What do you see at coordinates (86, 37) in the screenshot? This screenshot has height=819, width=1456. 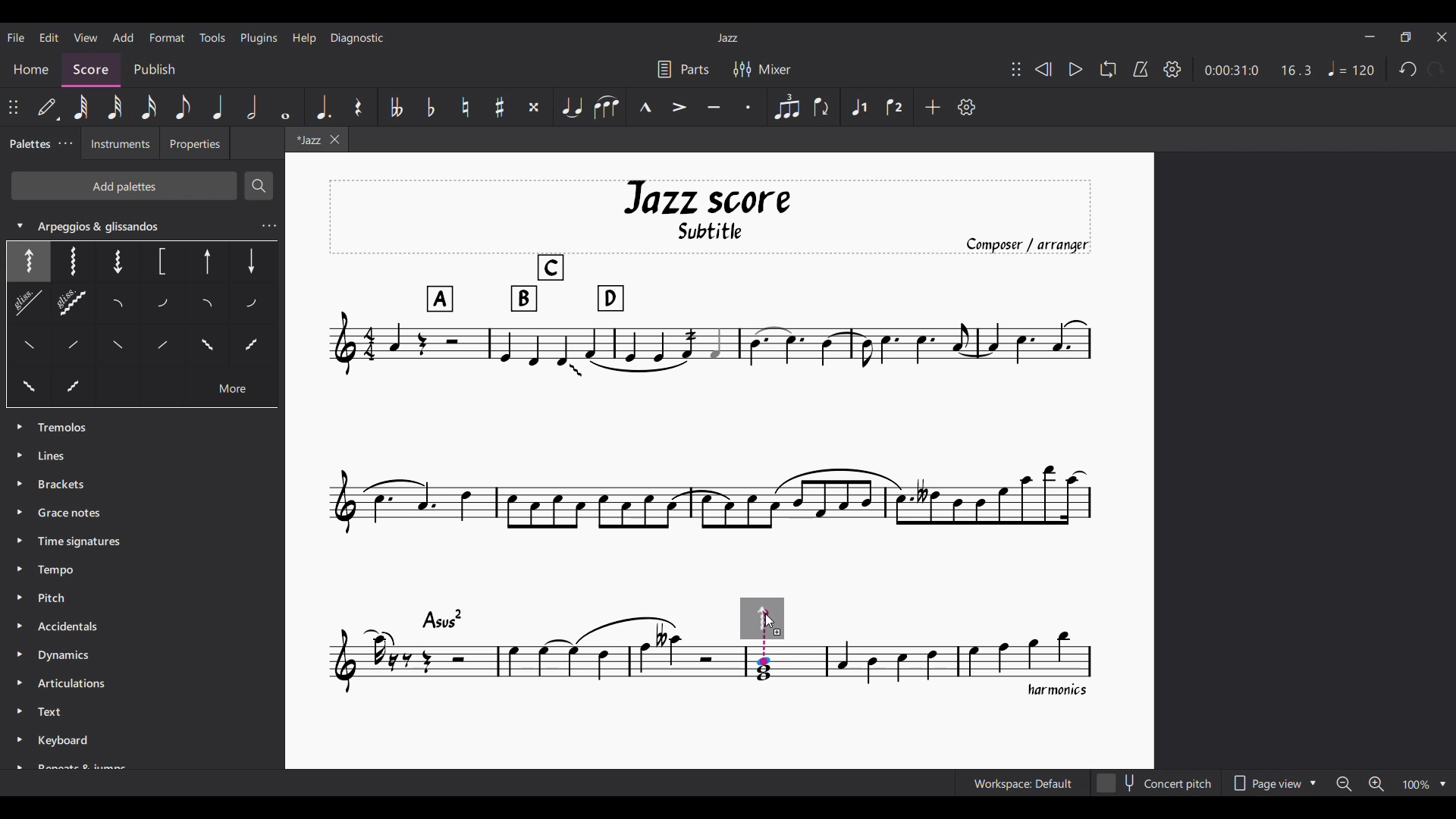 I see `View menu` at bounding box center [86, 37].